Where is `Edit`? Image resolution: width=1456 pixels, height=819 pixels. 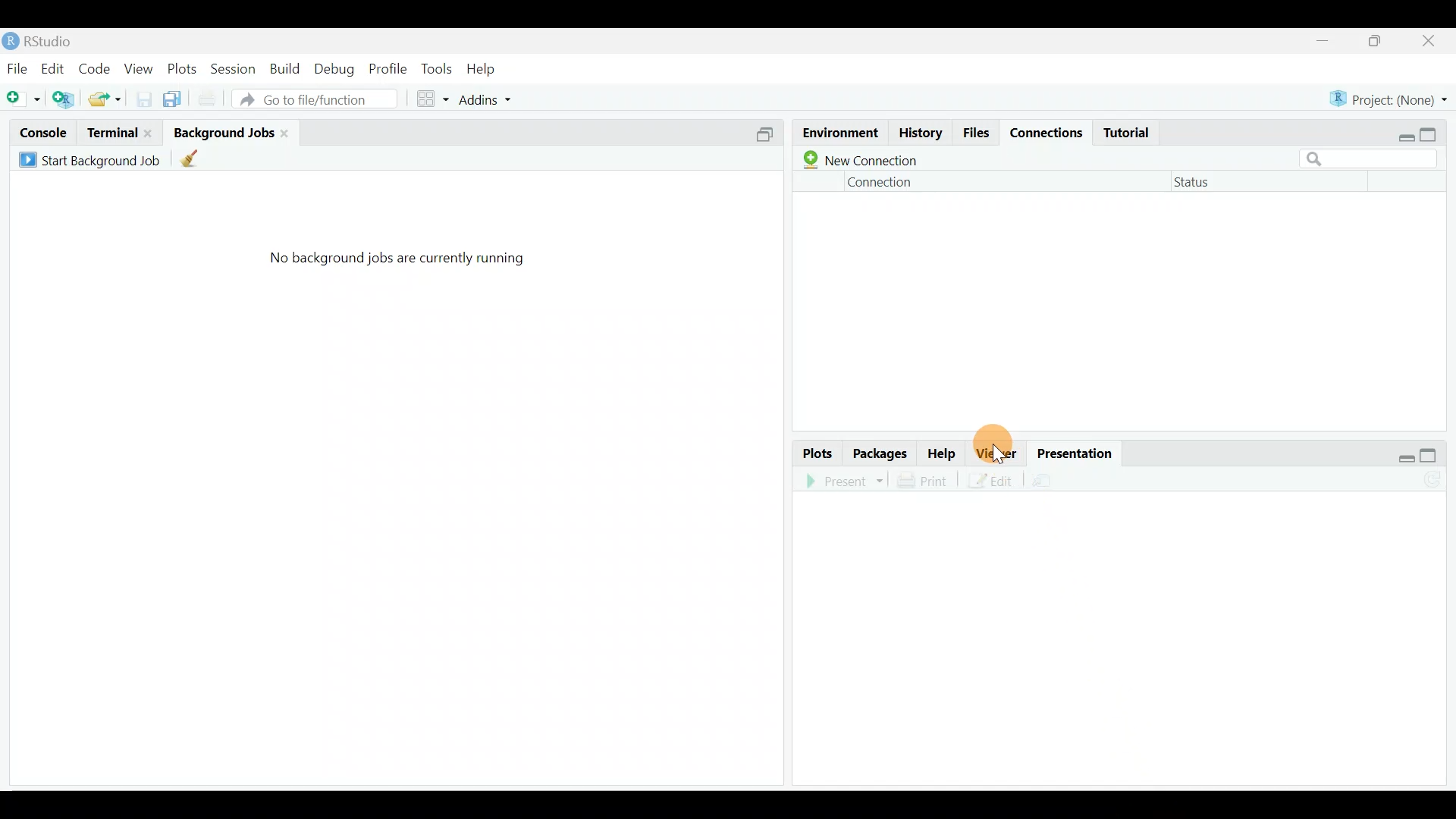 Edit is located at coordinates (52, 67).